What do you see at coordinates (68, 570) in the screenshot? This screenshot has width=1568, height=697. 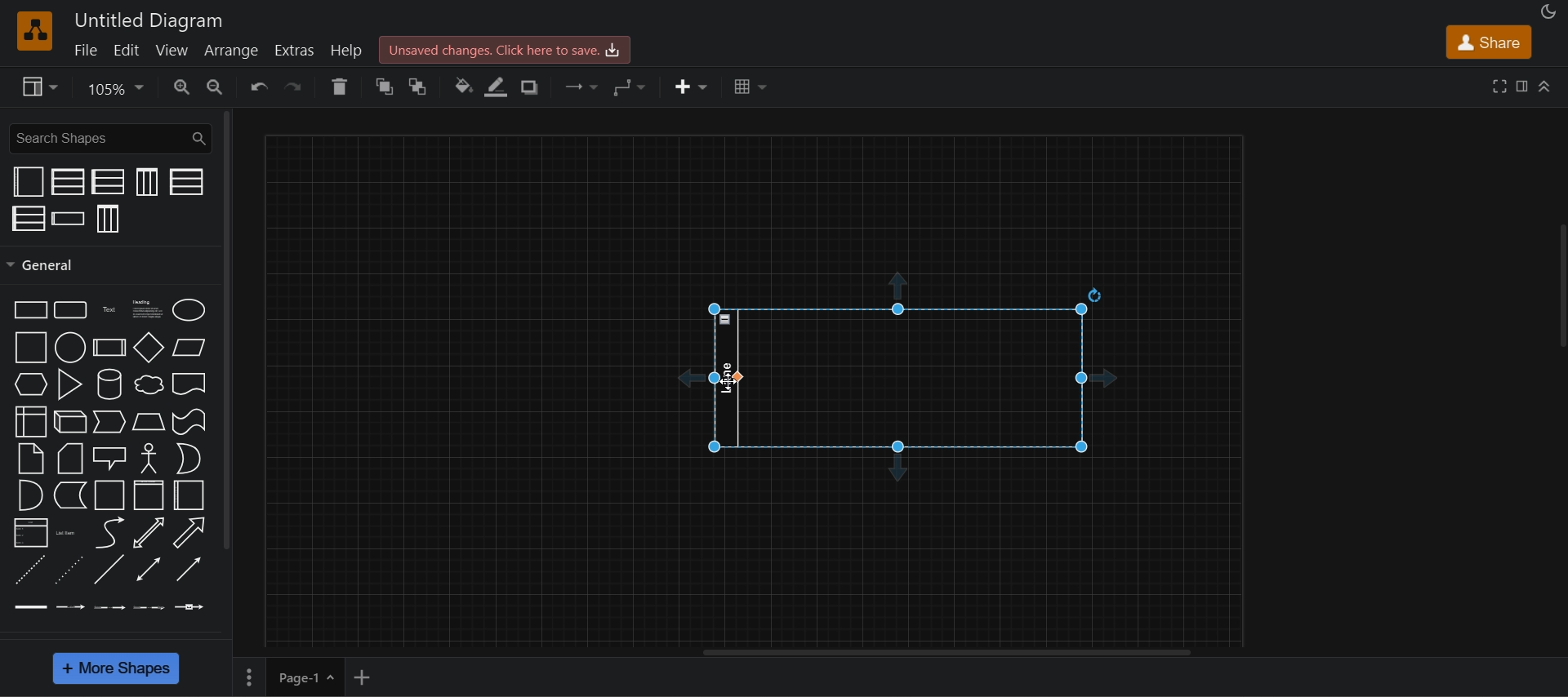 I see `dotted line` at bounding box center [68, 570].